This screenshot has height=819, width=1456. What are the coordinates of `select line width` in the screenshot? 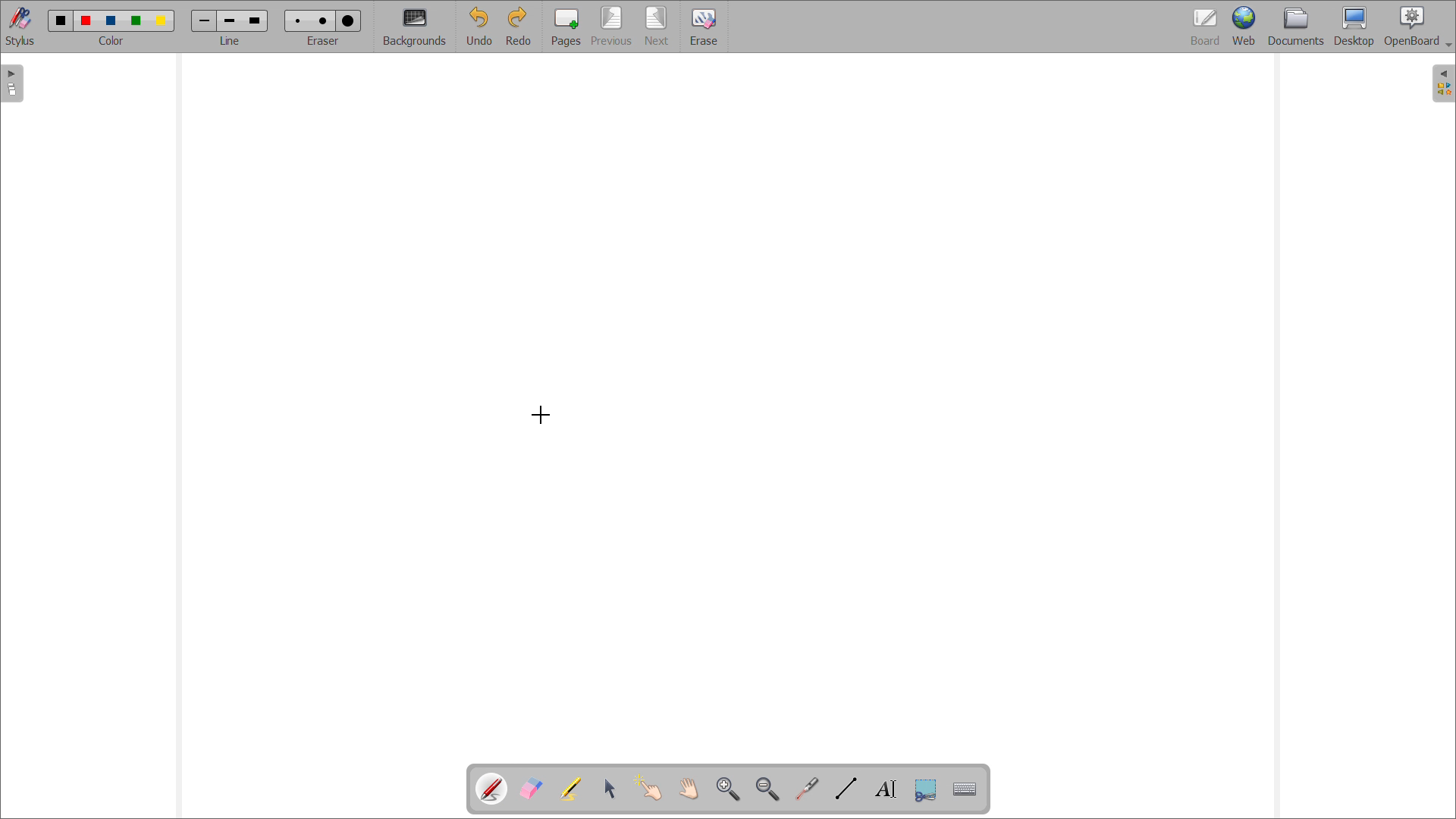 It's located at (230, 42).